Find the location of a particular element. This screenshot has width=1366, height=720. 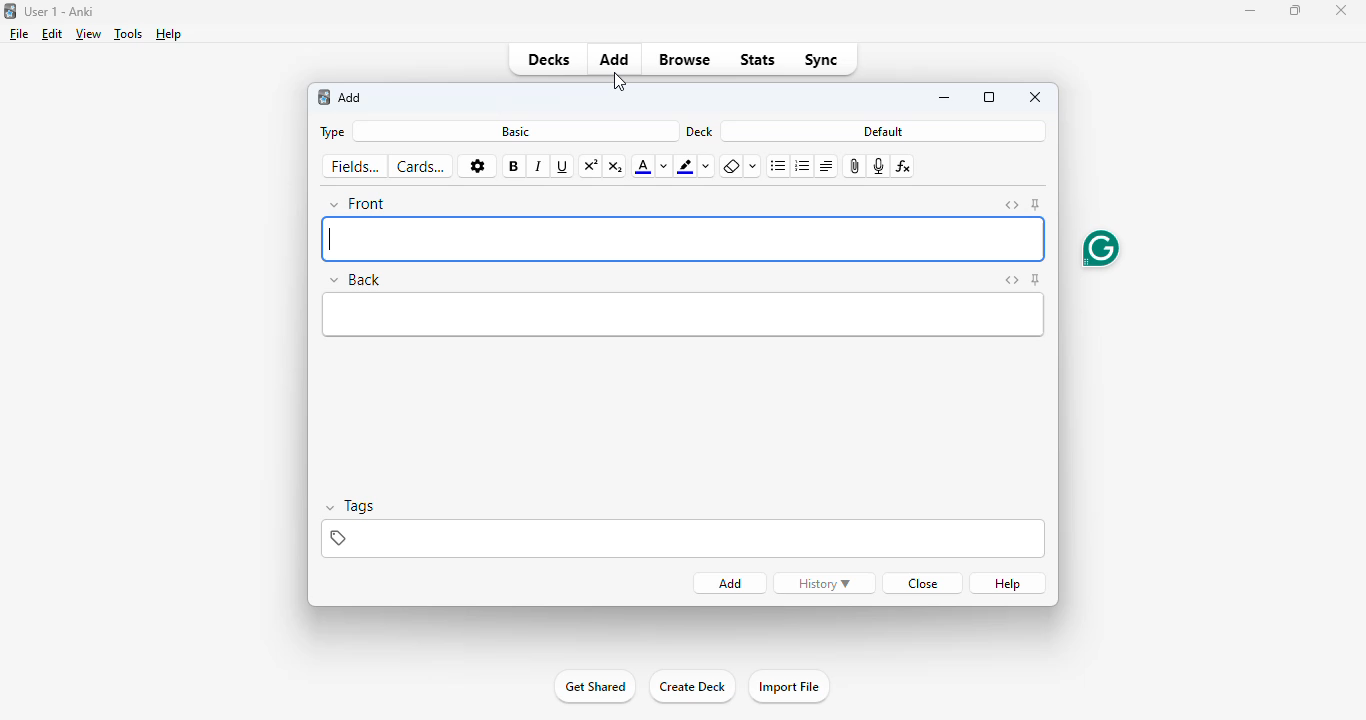

maximize is located at coordinates (989, 97).